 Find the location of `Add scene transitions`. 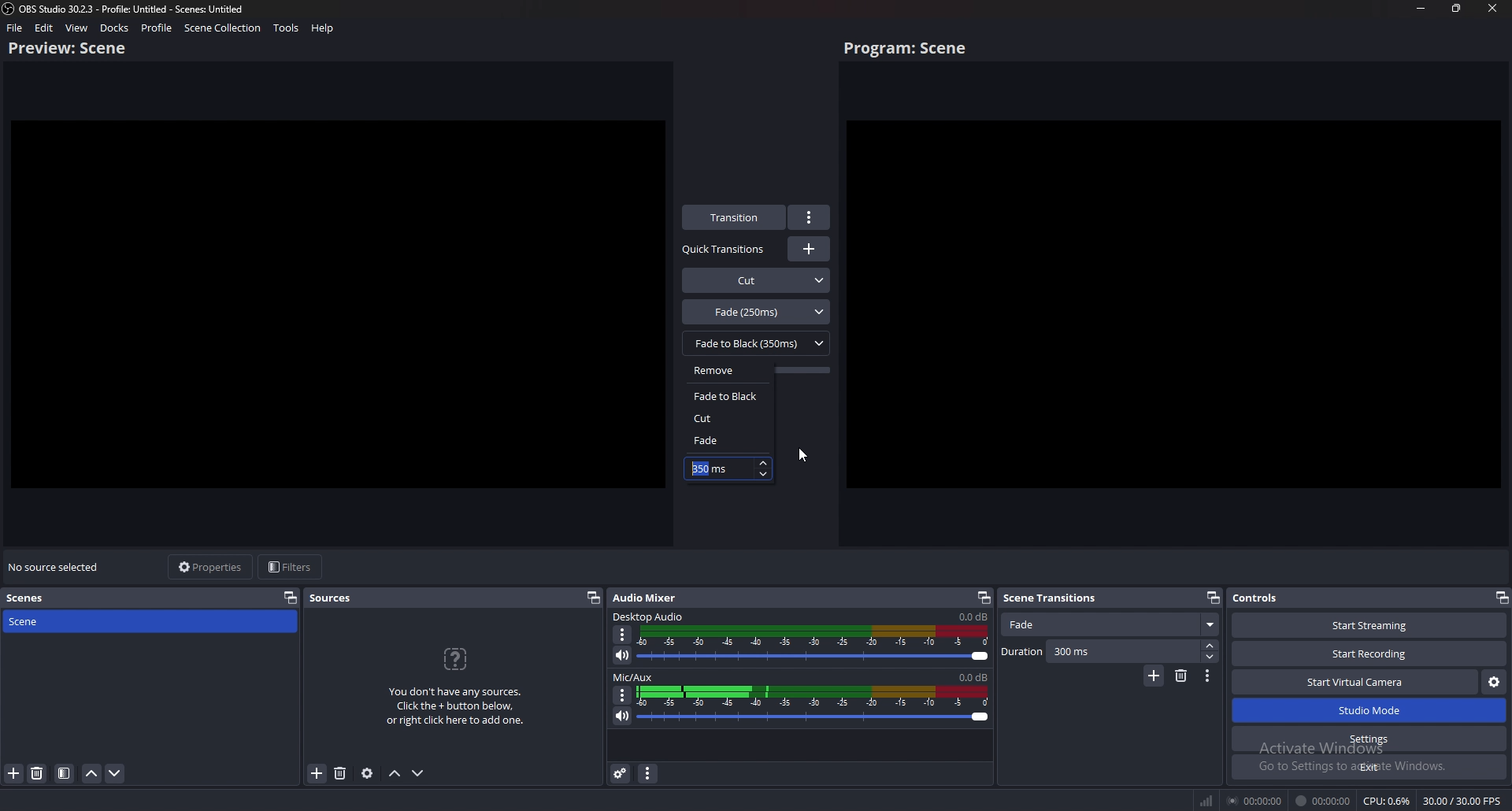

Add scene transitions is located at coordinates (1153, 676).